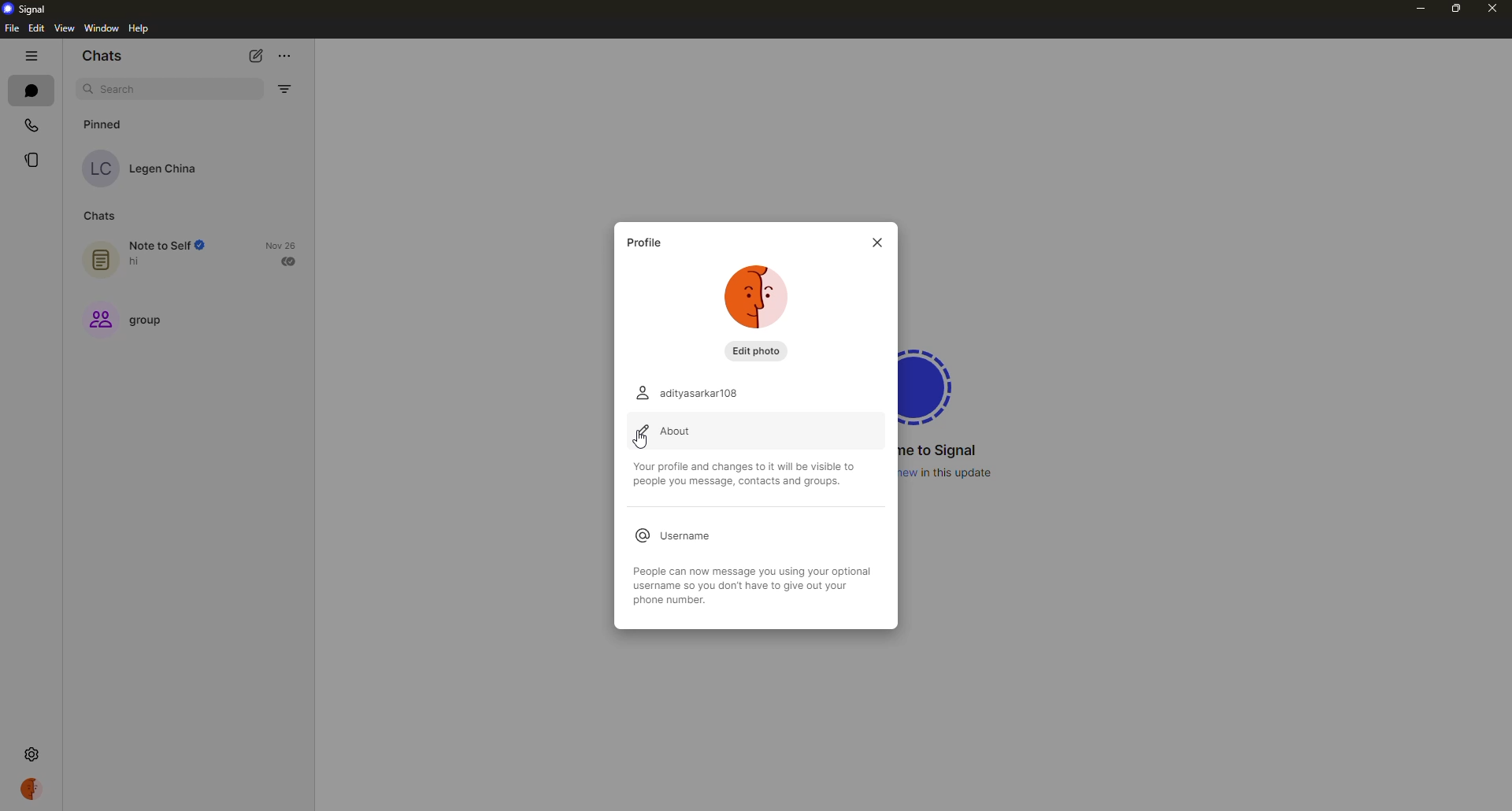  Describe the element at coordinates (280, 245) in the screenshot. I see `date` at that location.